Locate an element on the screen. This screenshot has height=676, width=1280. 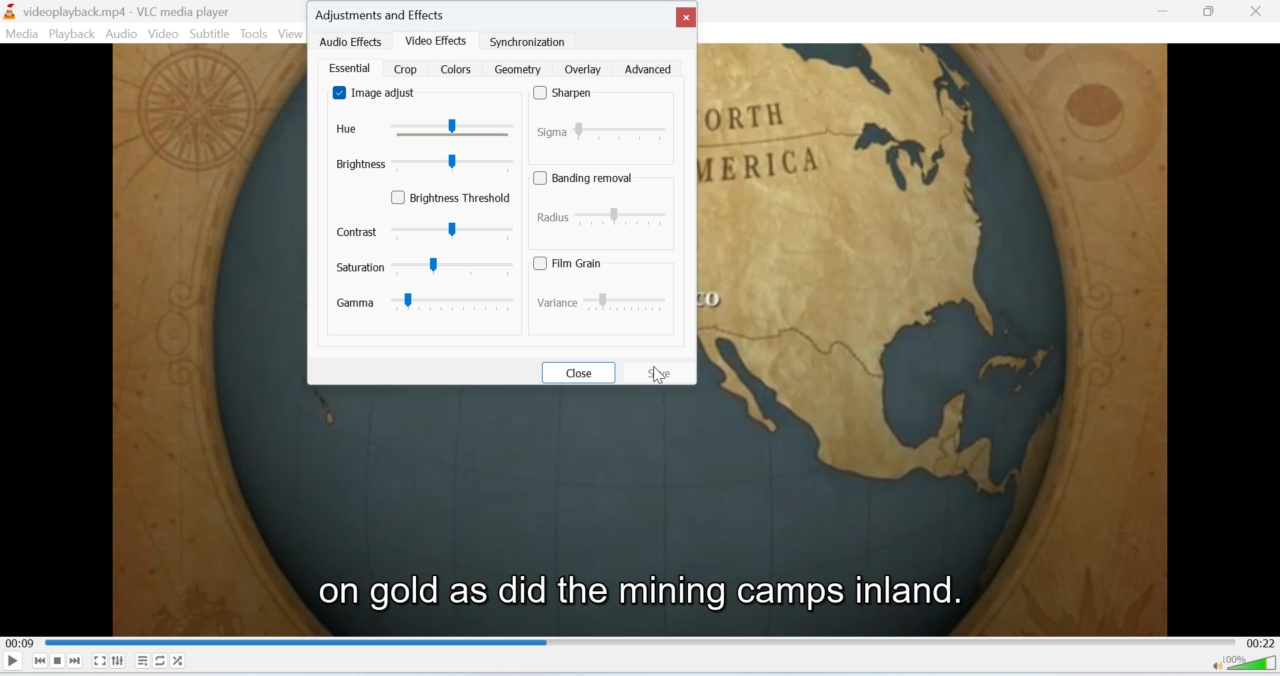
contrast is located at coordinates (427, 230).